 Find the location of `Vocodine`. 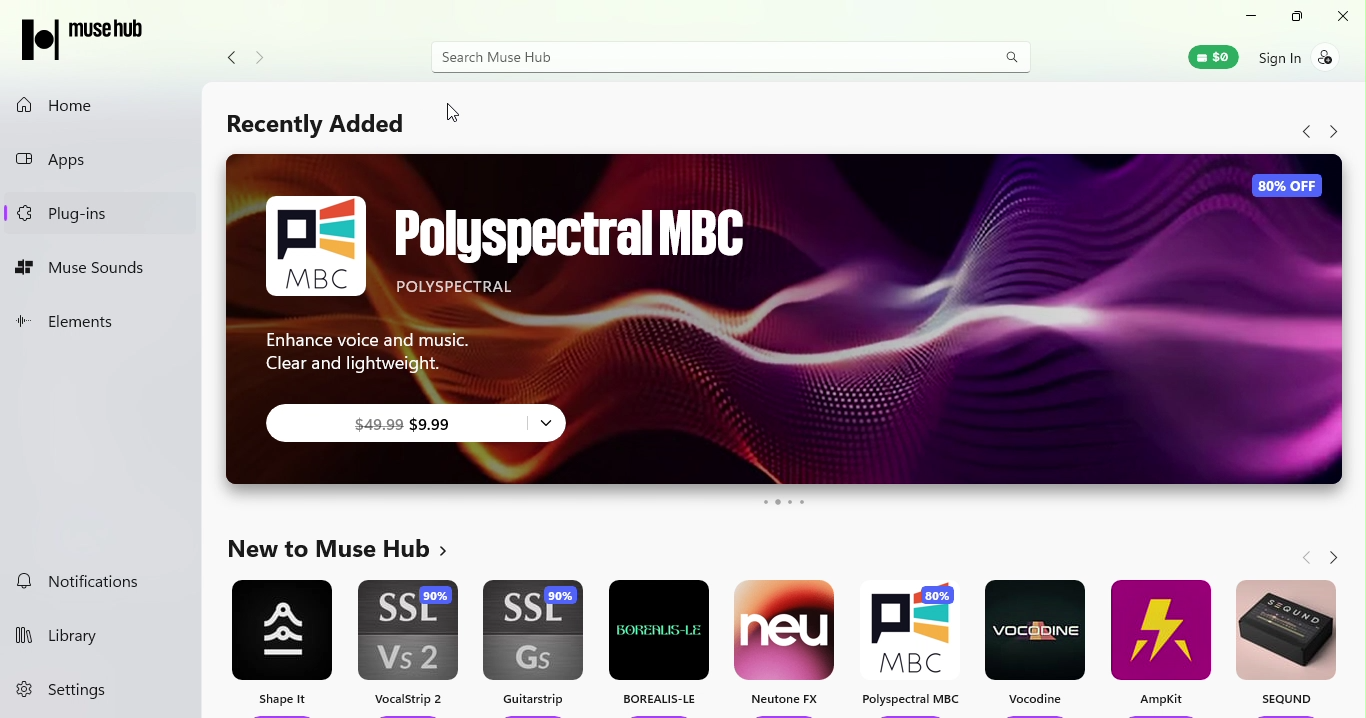

Vocodine is located at coordinates (1036, 645).